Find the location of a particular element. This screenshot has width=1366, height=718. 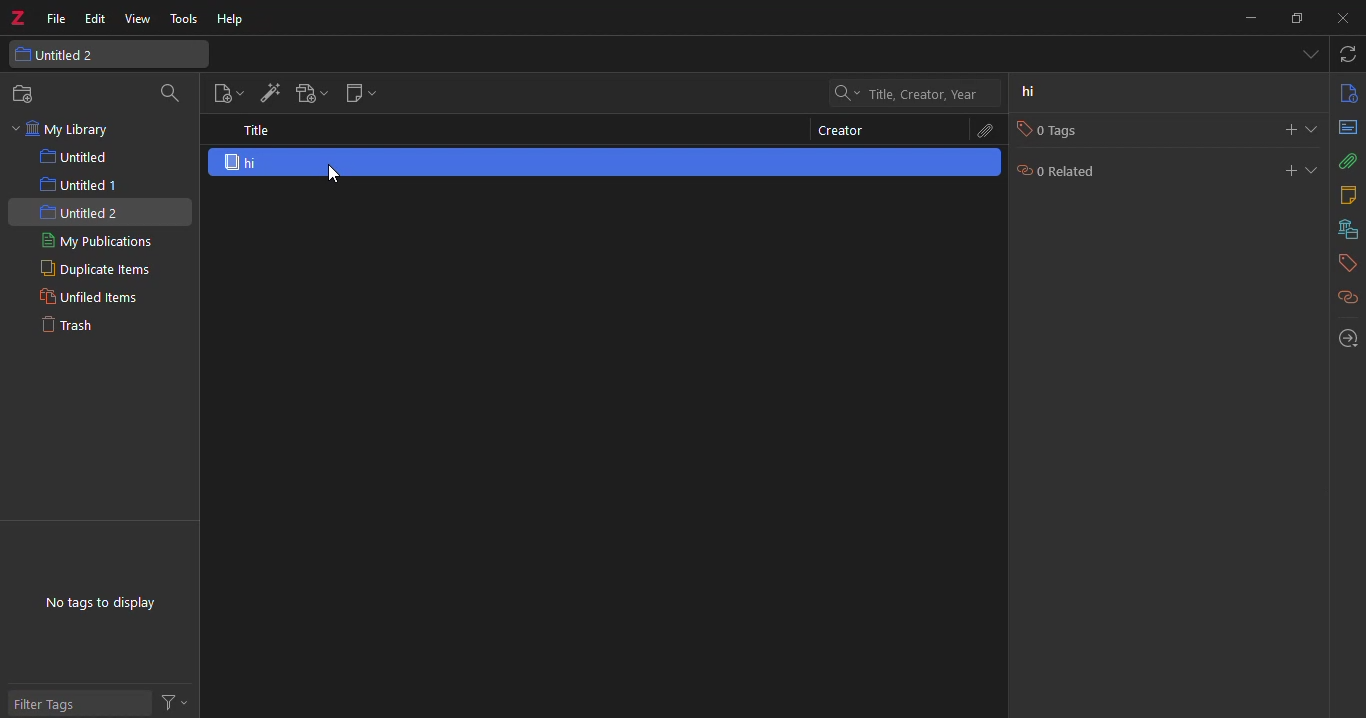

search is located at coordinates (913, 92).